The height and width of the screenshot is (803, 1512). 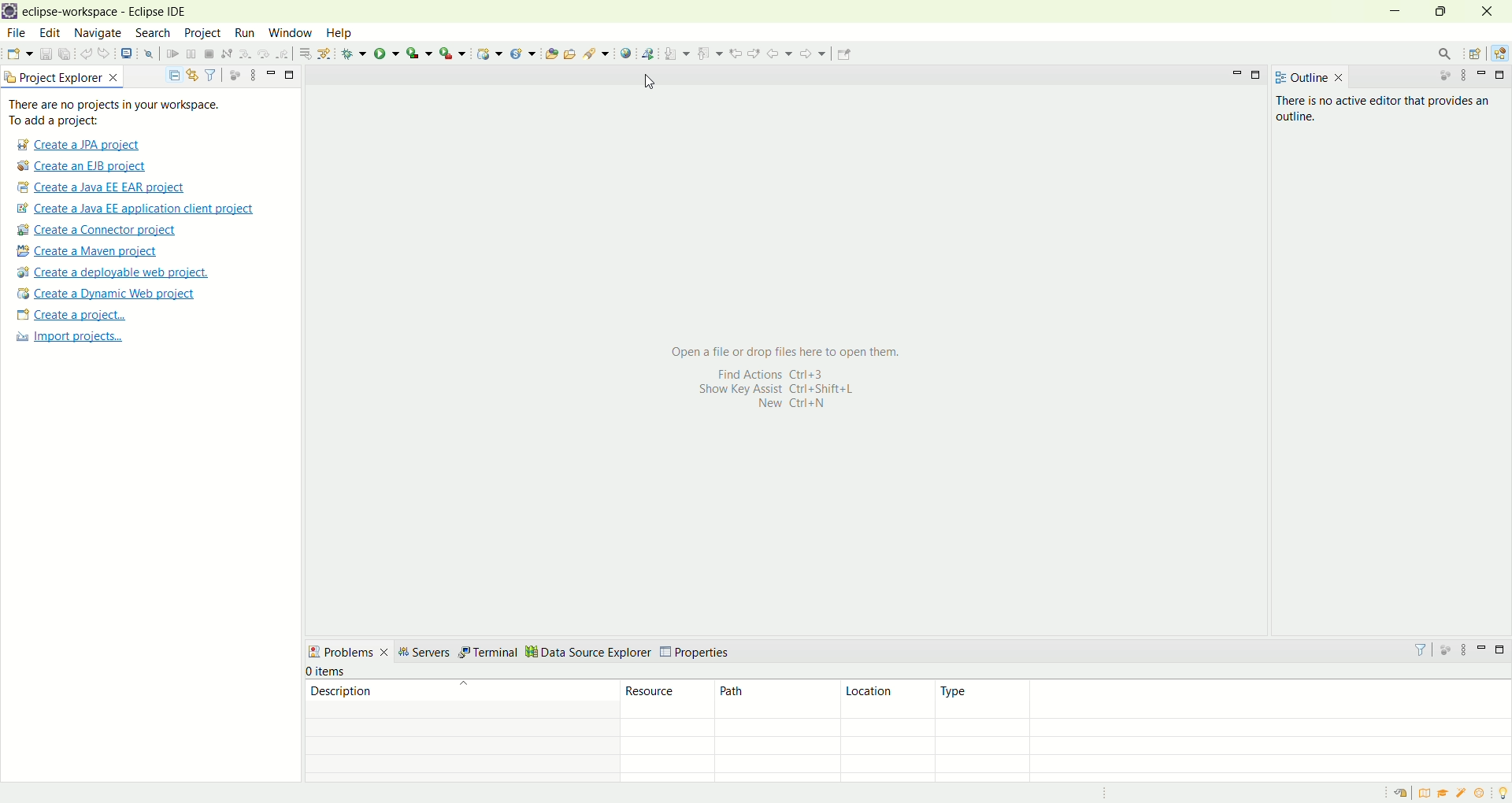 I want to click on minimize, so click(x=271, y=72).